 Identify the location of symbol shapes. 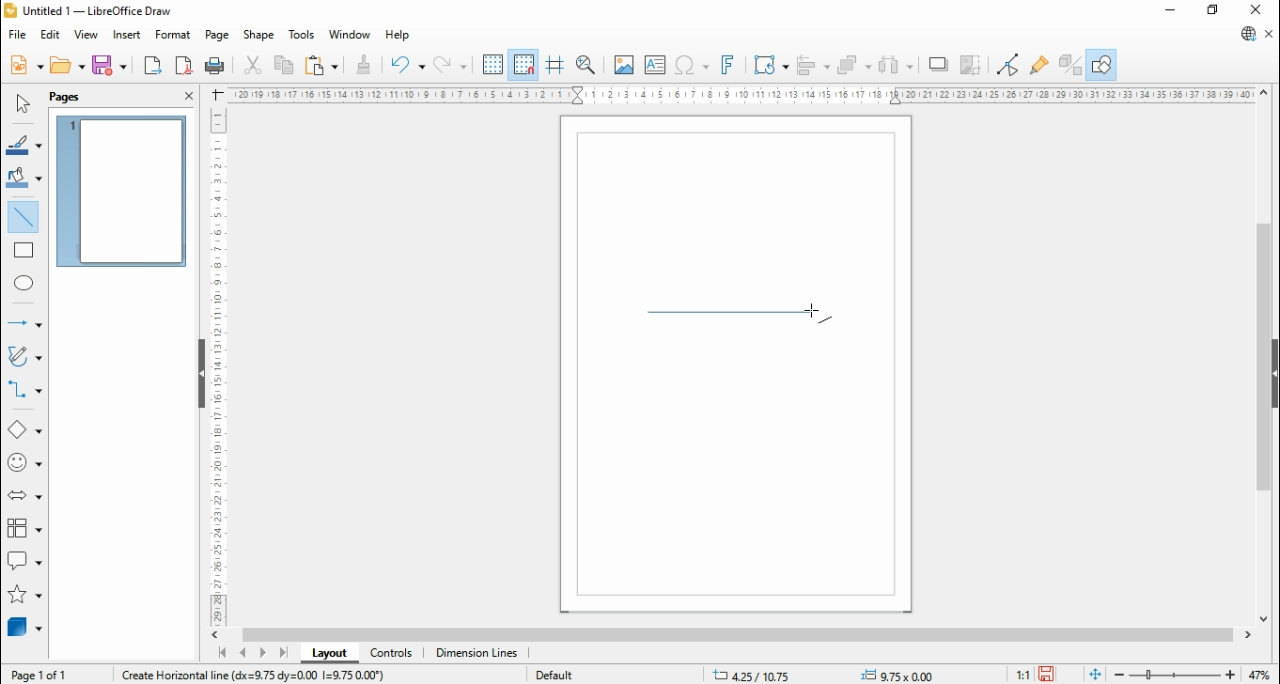
(24, 463).